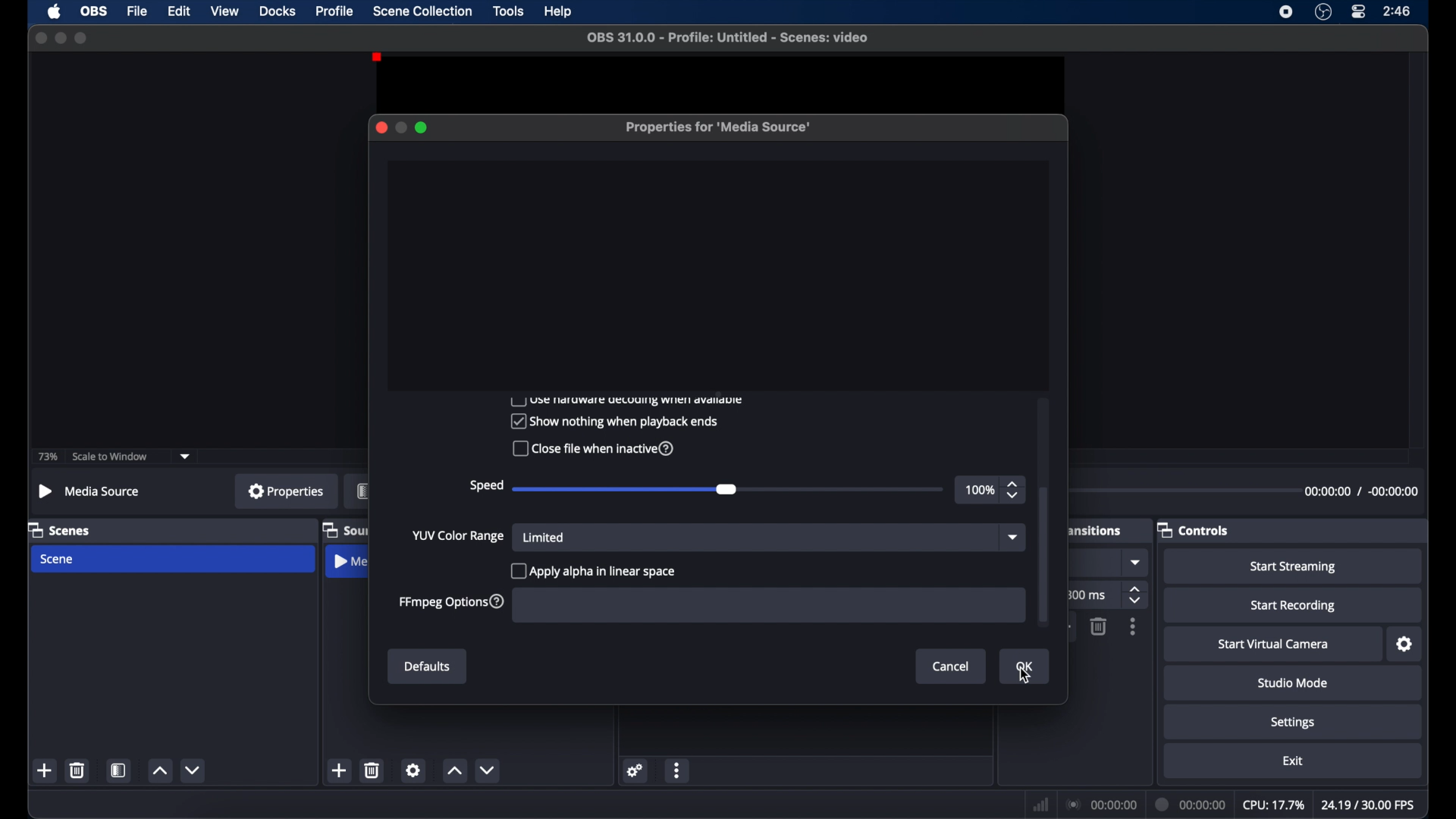 The image size is (1456, 819). Describe the element at coordinates (765, 606) in the screenshot. I see `FFmpeg Options input` at that location.